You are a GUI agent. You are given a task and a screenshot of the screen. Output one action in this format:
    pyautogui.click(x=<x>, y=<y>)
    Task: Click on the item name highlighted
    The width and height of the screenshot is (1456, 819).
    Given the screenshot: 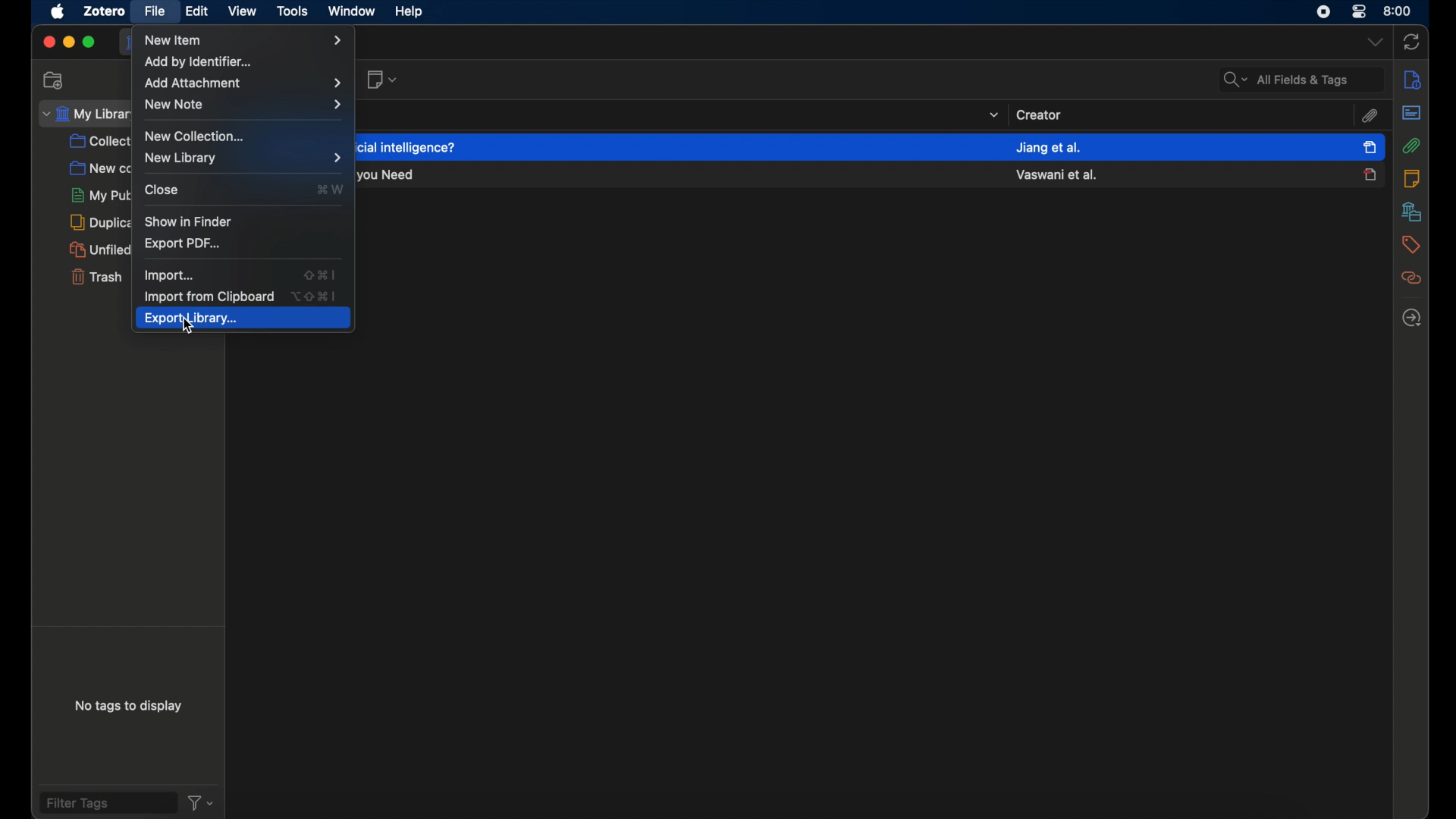 What is the action you would take?
    pyautogui.click(x=410, y=146)
    